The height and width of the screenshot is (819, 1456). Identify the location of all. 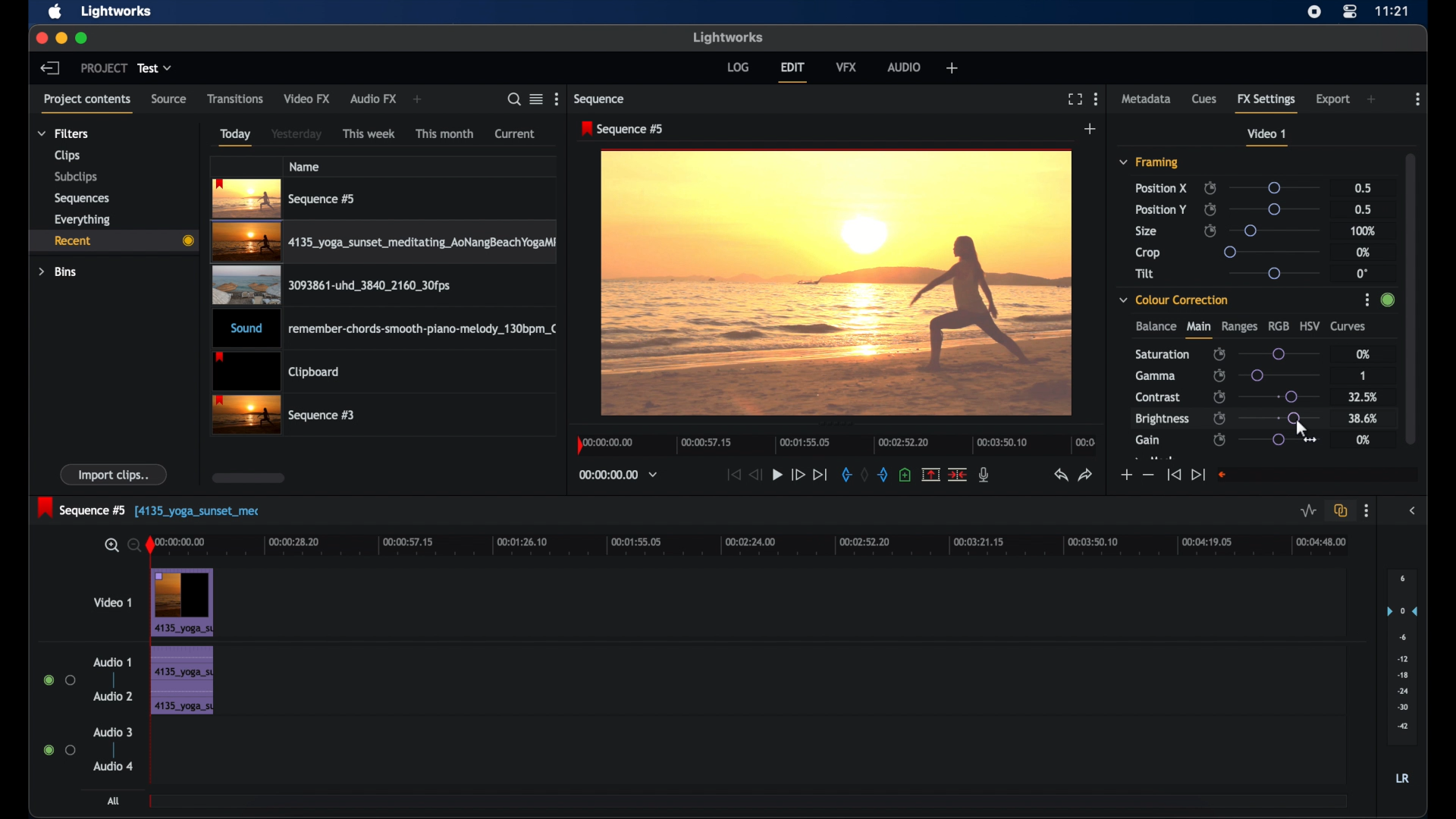
(115, 801).